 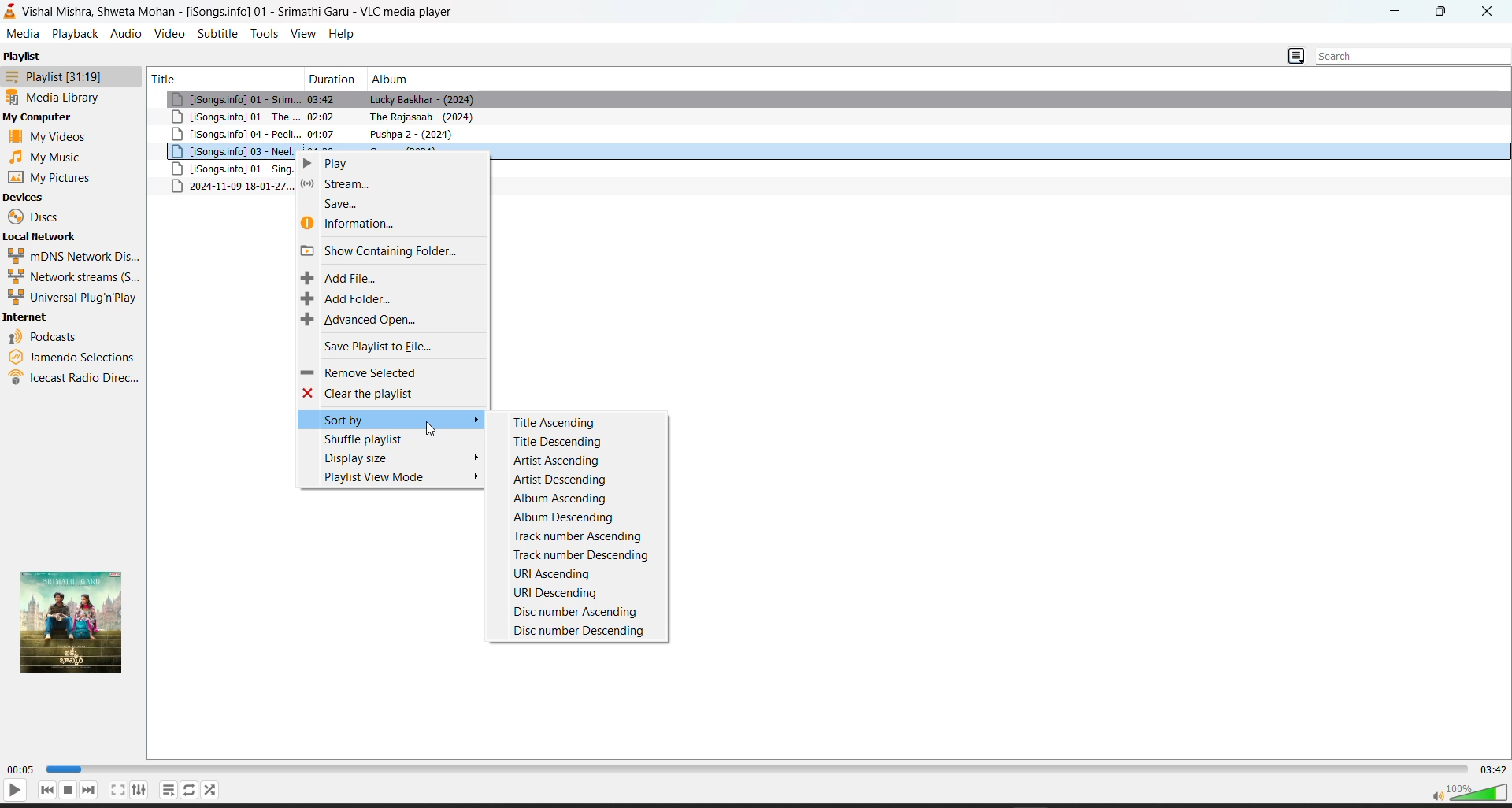 What do you see at coordinates (1468, 791) in the screenshot?
I see `volume` at bounding box center [1468, 791].